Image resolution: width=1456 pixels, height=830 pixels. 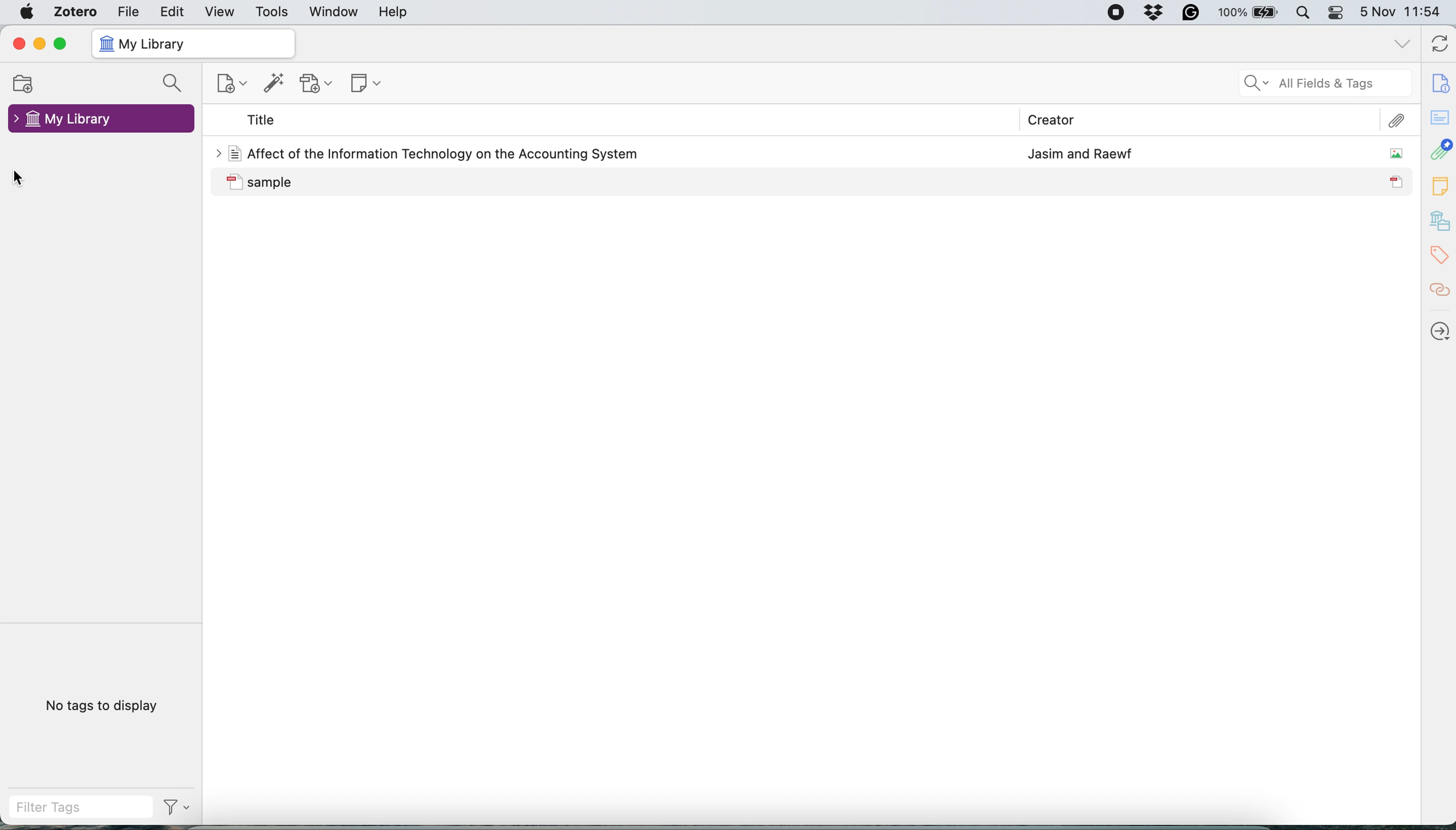 What do you see at coordinates (1305, 17) in the screenshot?
I see `spotlight search` at bounding box center [1305, 17].